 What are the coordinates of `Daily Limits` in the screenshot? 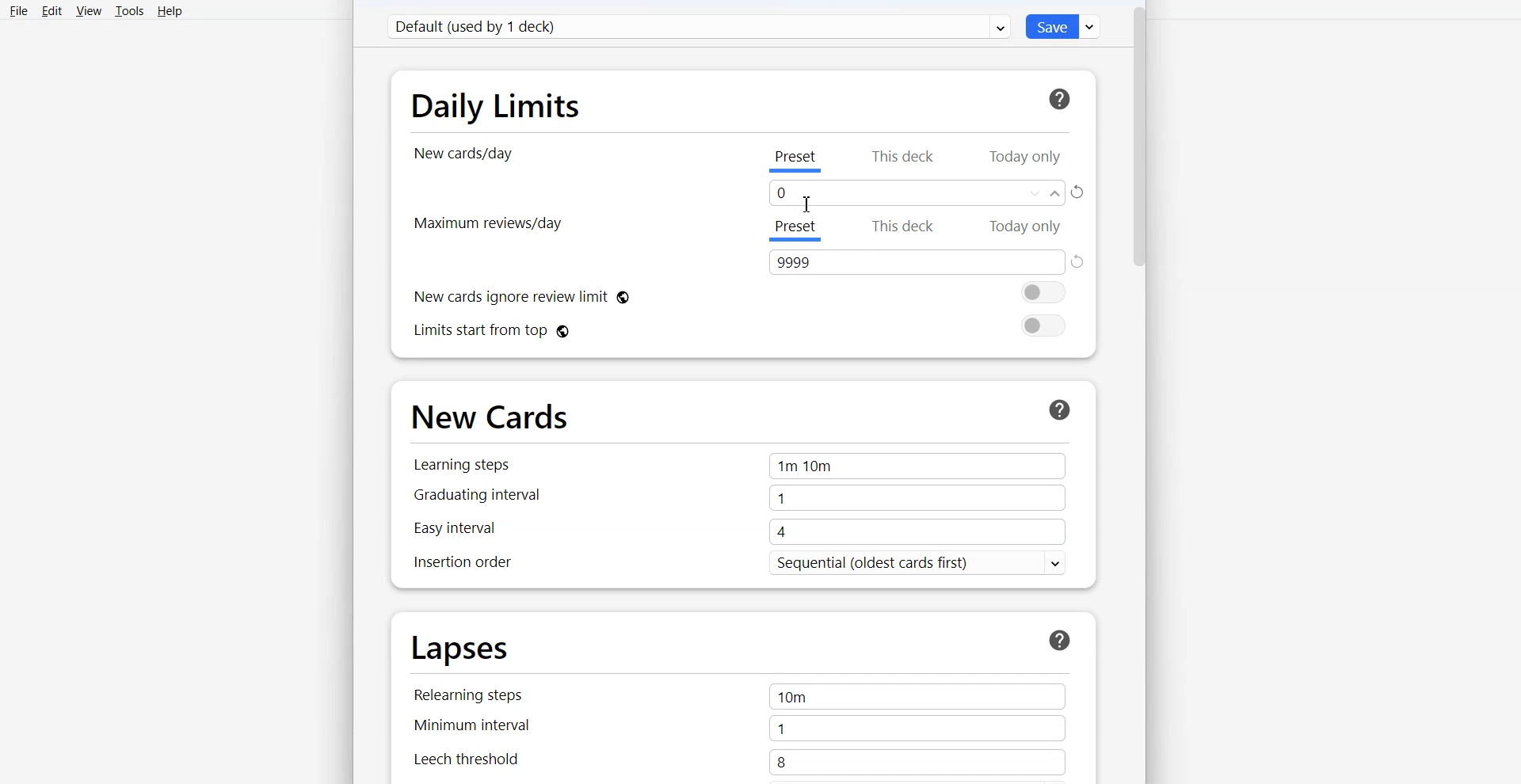 It's located at (495, 103).